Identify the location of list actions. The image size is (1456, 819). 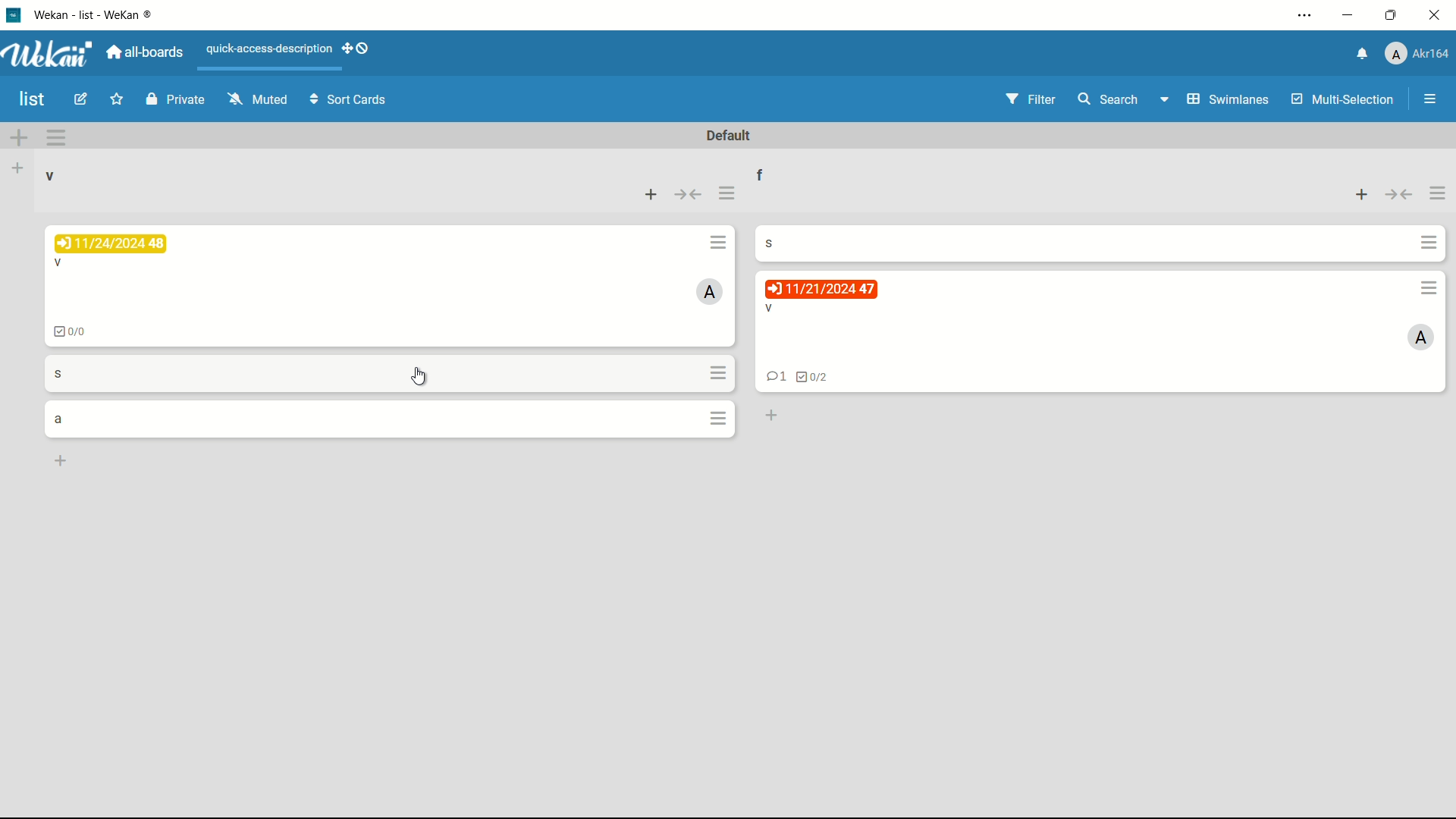
(726, 195).